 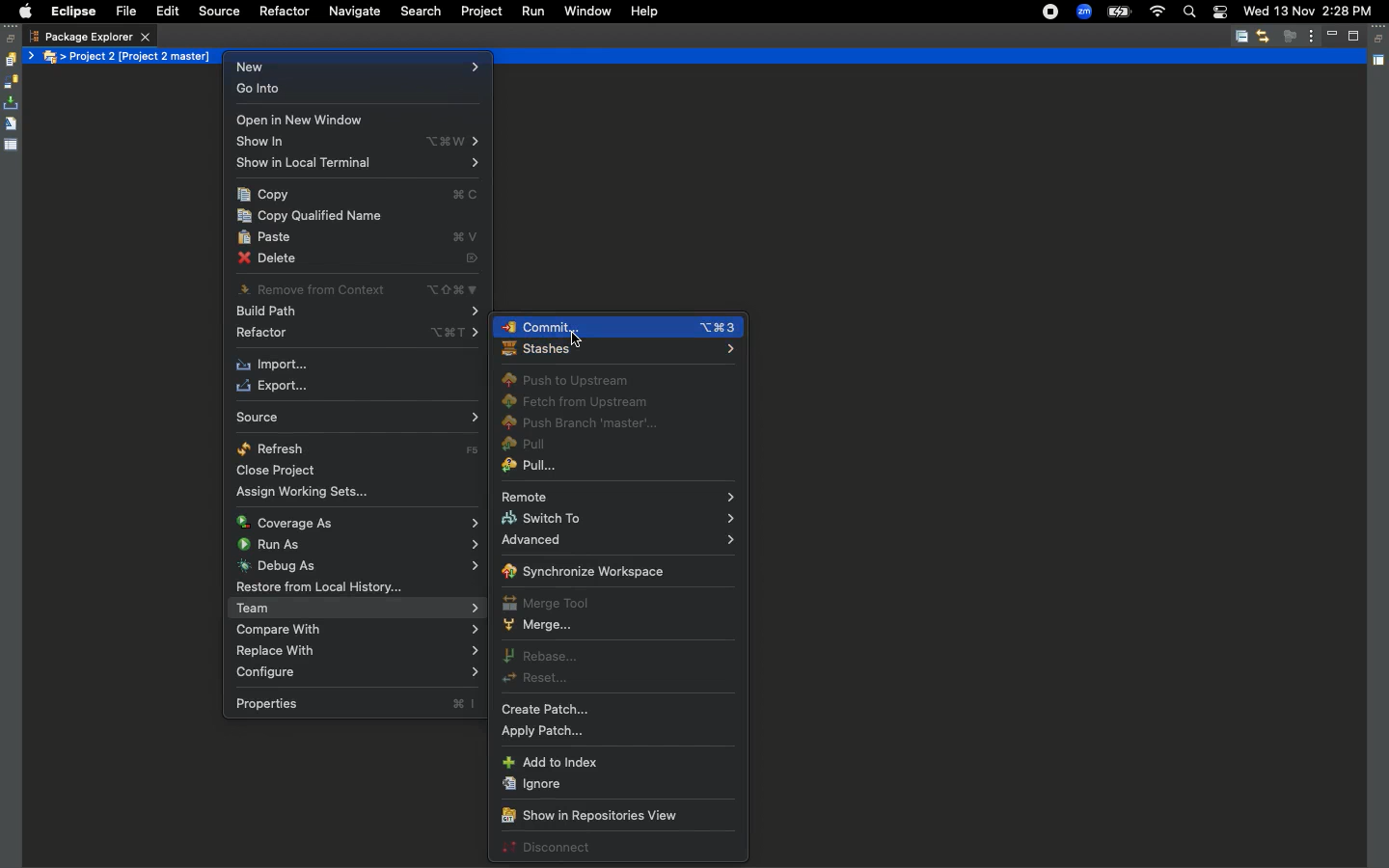 What do you see at coordinates (578, 337) in the screenshot?
I see `pointer cursor` at bounding box center [578, 337].